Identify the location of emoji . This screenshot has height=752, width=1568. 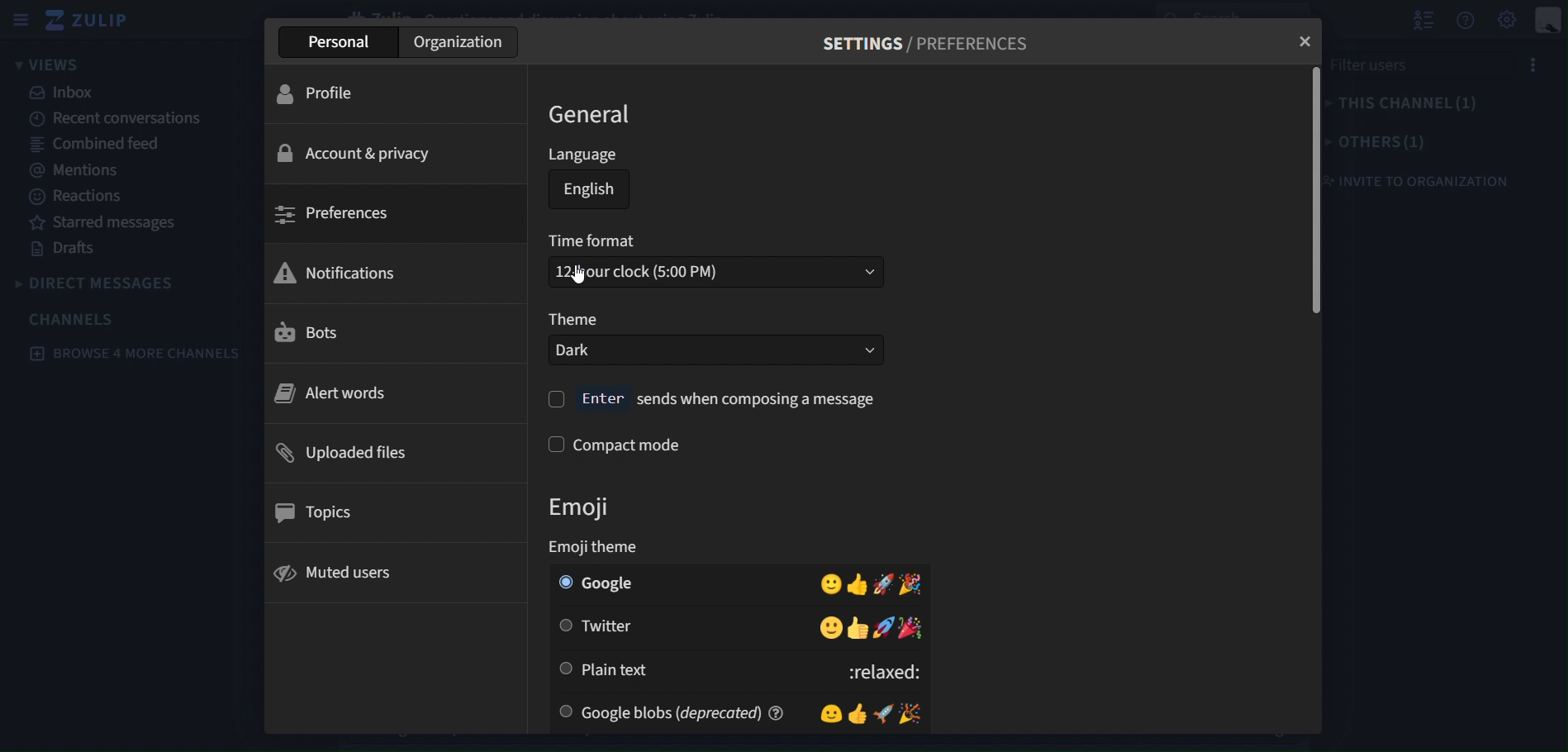
(587, 507).